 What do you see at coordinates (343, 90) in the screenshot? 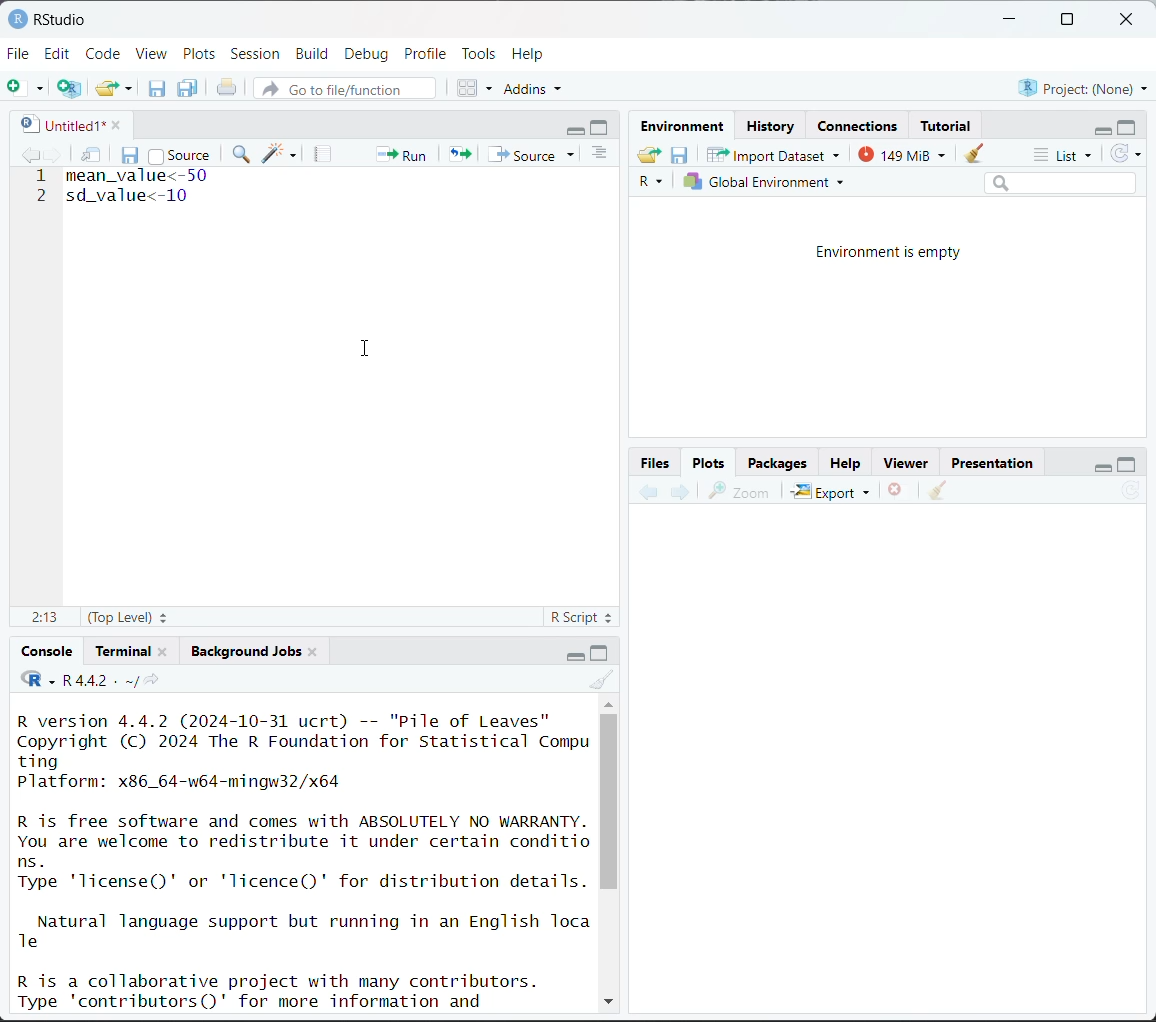
I see `go to file/function` at bounding box center [343, 90].